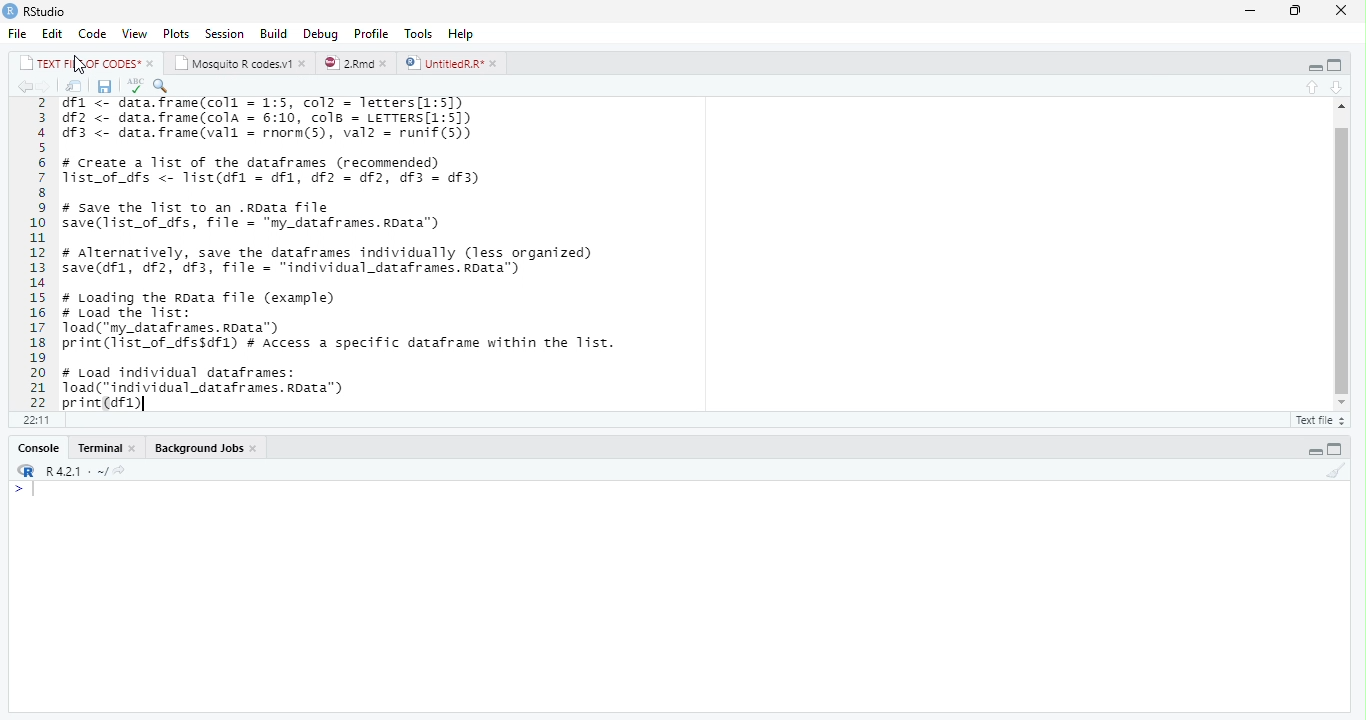 The height and width of the screenshot is (720, 1366). I want to click on 2.Rmd, so click(355, 63).